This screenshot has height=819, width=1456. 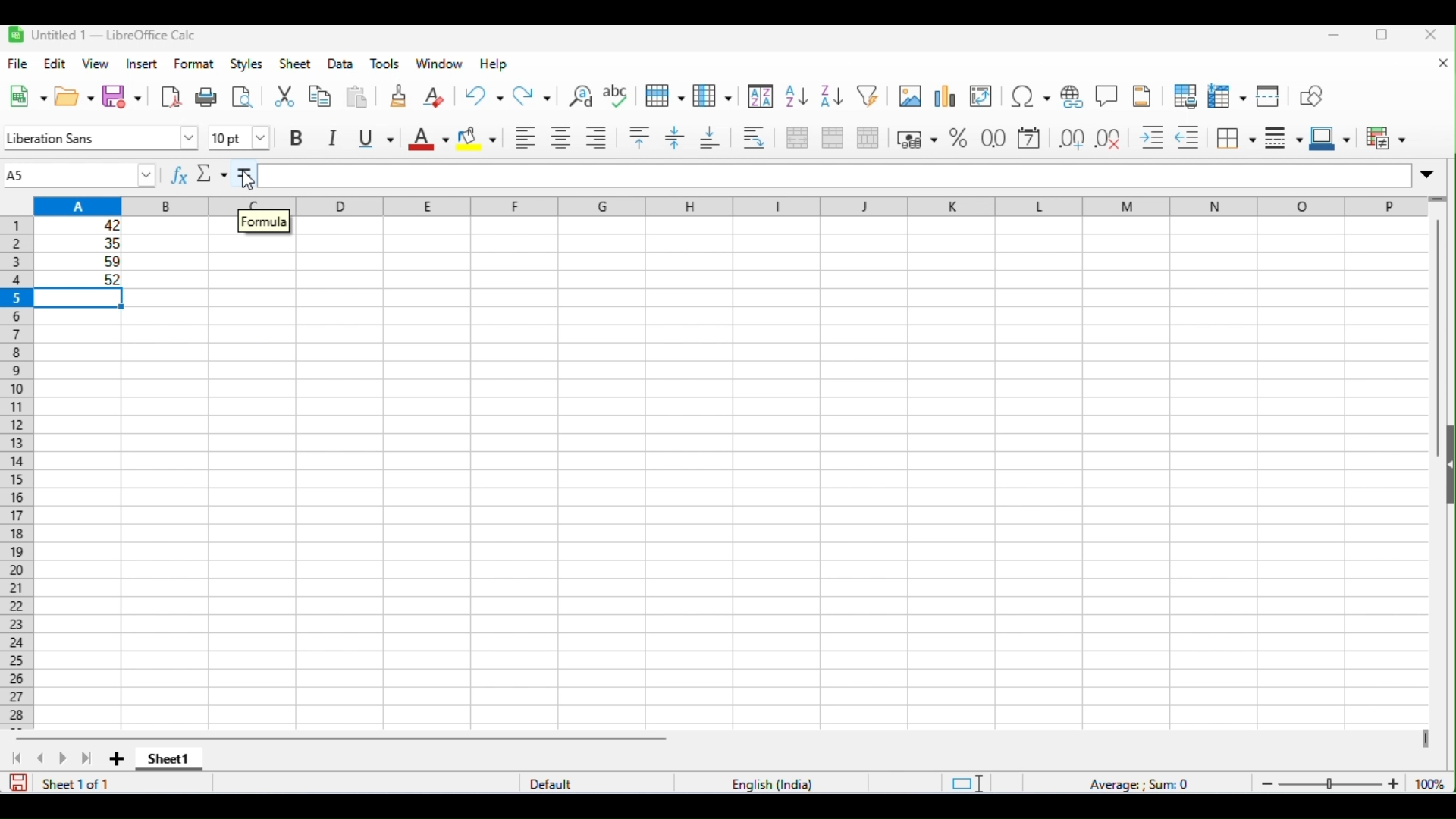 What do you see at coordinates (115, 760) in the screenshot?
I see `add new sheet` at bounding box center [115, 760].